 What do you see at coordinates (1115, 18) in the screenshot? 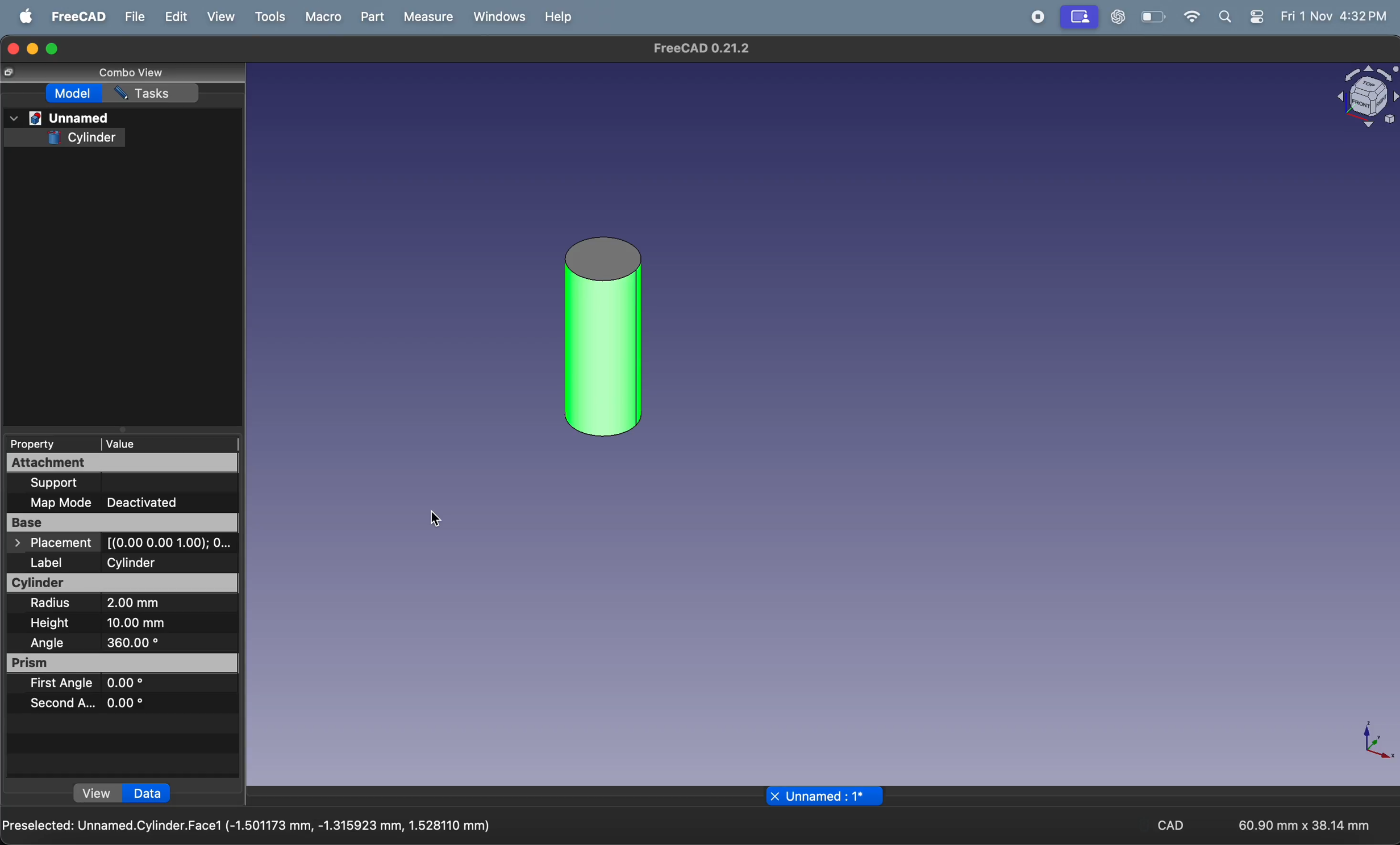
I see `chat gpt` at bounding box center [1115, 18].